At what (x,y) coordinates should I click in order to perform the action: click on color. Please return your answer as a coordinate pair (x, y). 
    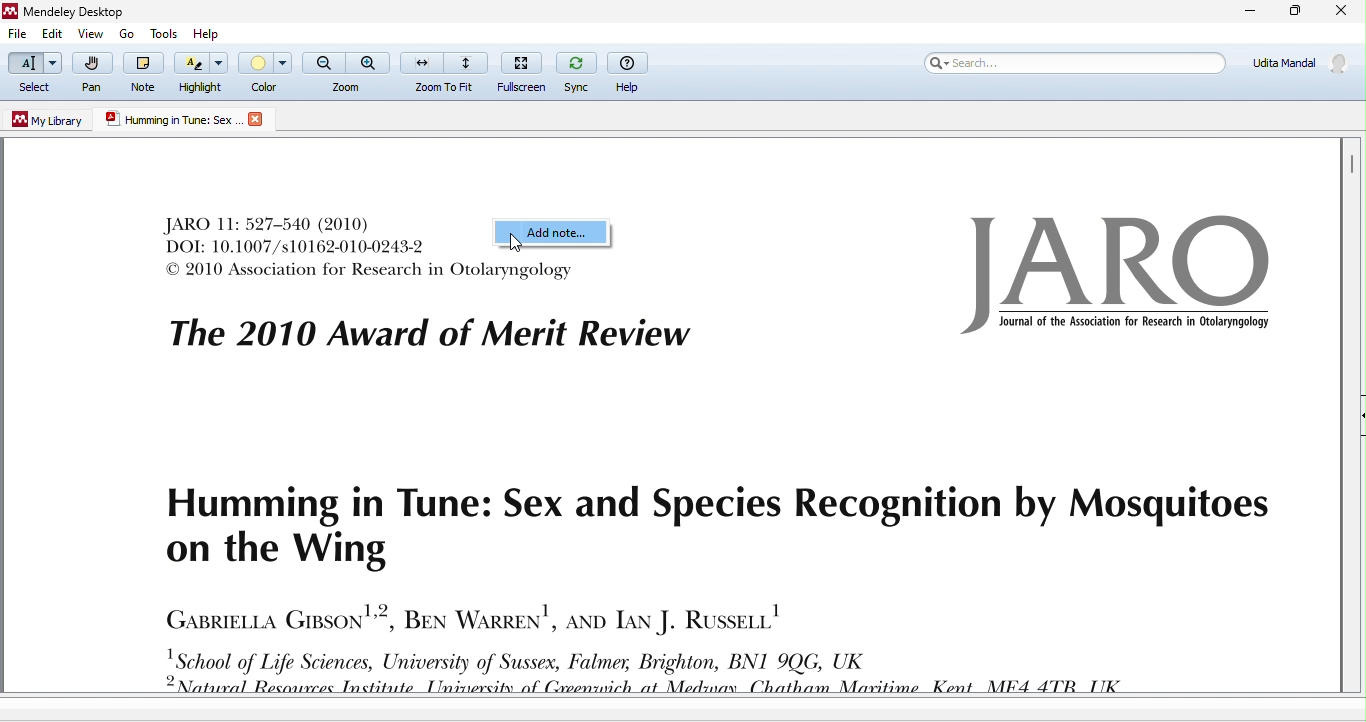
    Looking at the image, I should click on (265, 73).